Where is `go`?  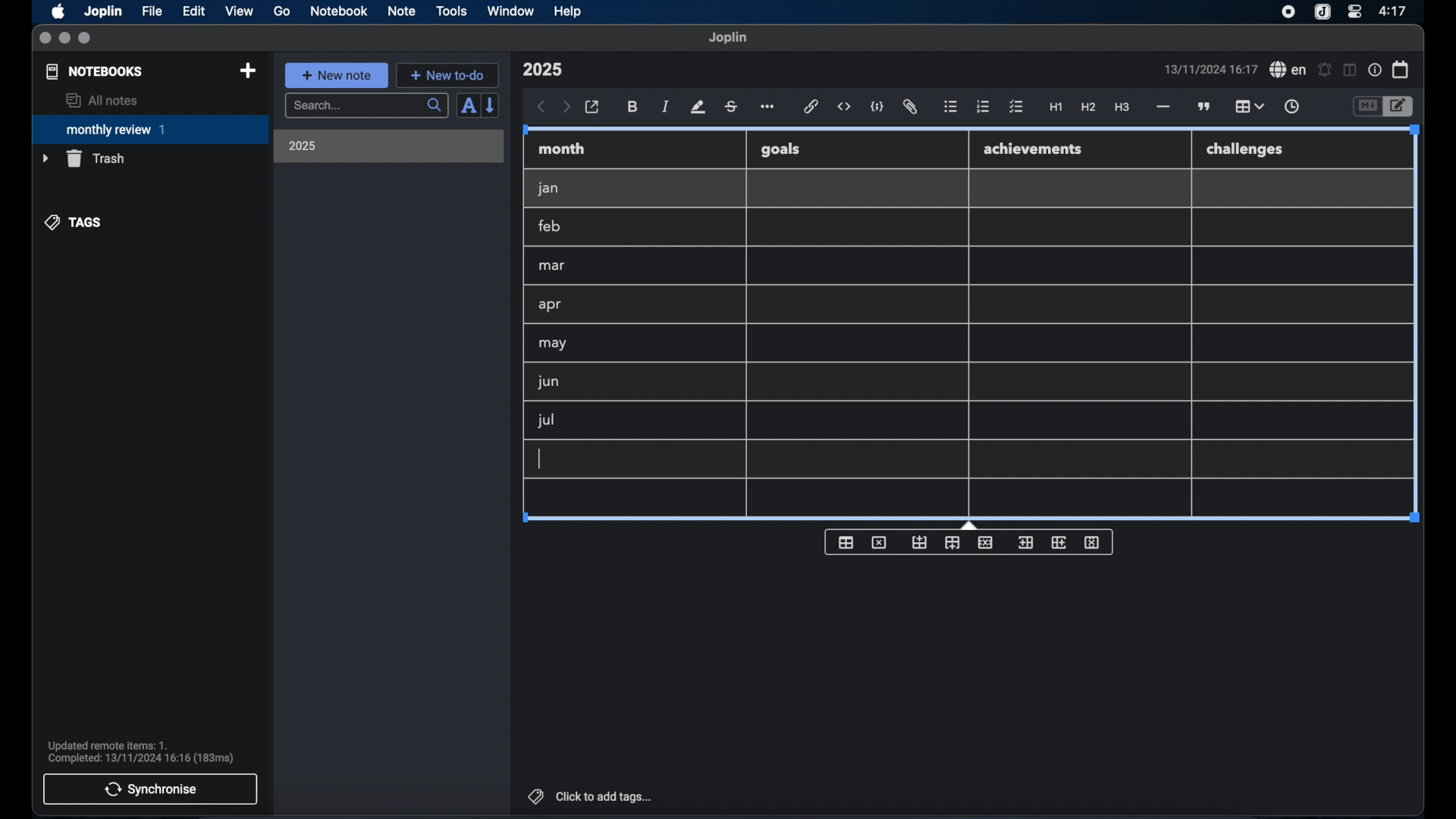 go is located at coordinates (282, 11).